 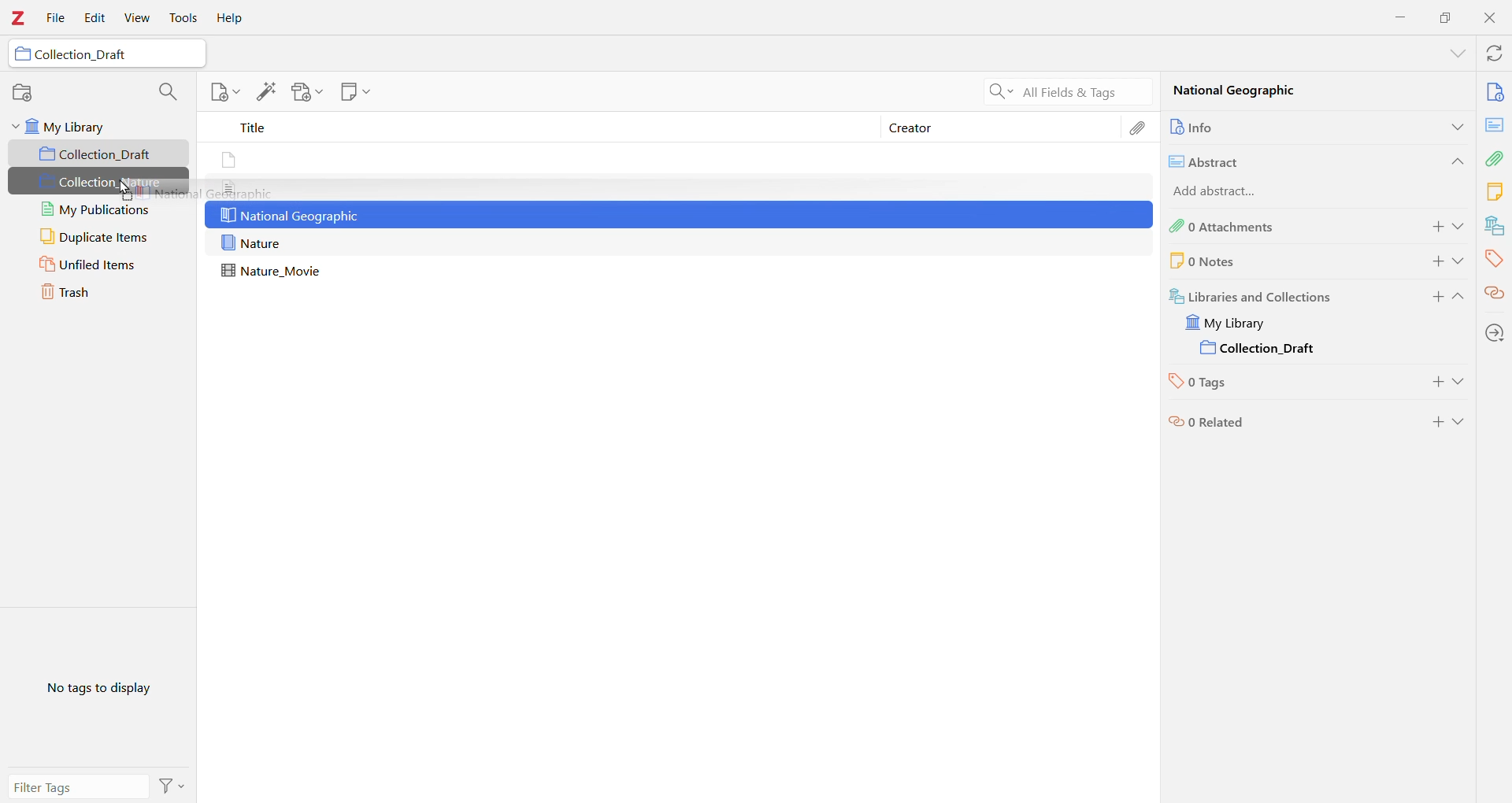 What do you see at coordinates (1278, 126) in the screenshot?
I see `Info` at bounding box center [1278, 126].